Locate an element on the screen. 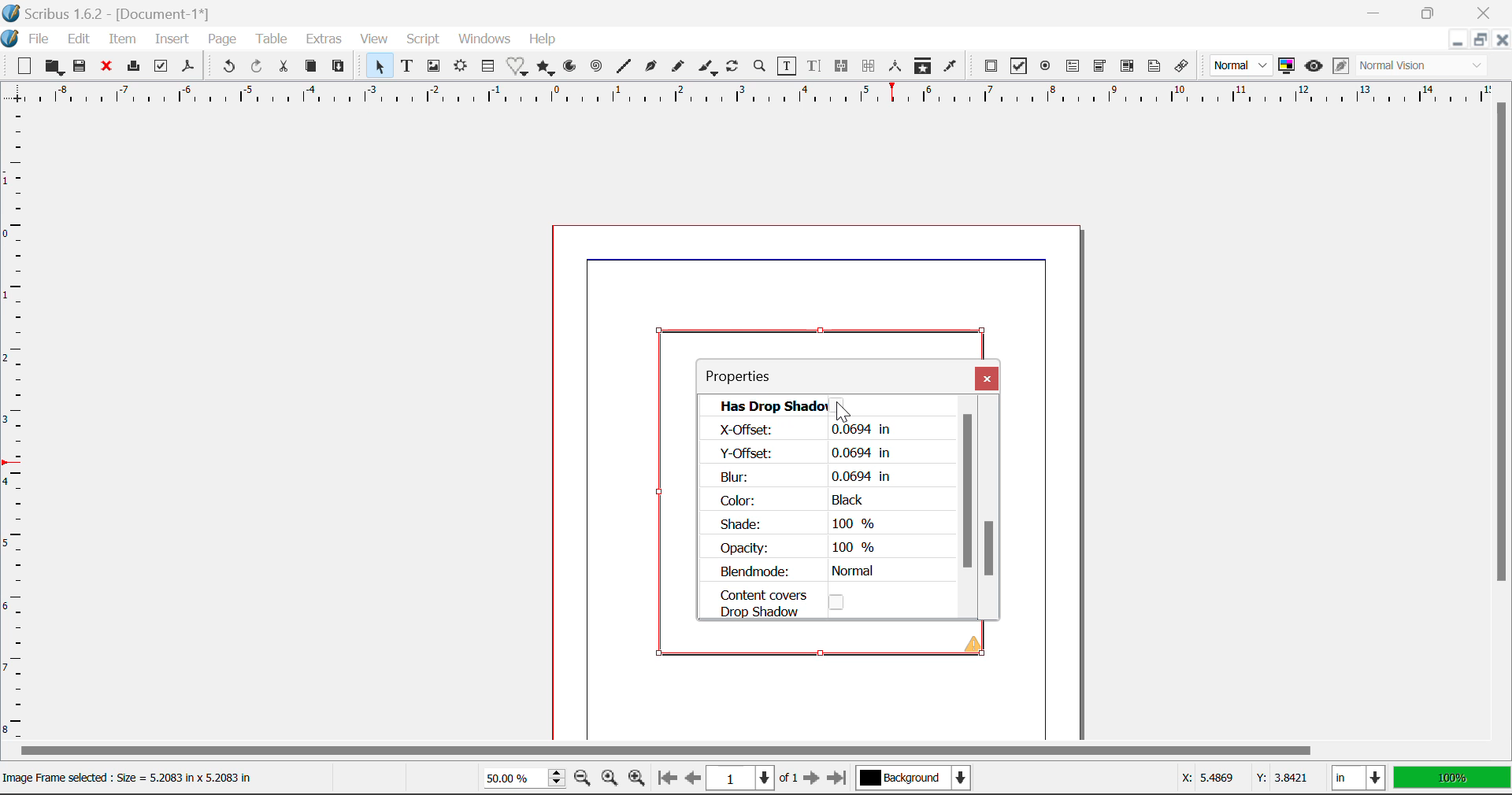 The image size is (1512, 795). Content Covers Drop Shadow Option is located at coordinates (795, 602).